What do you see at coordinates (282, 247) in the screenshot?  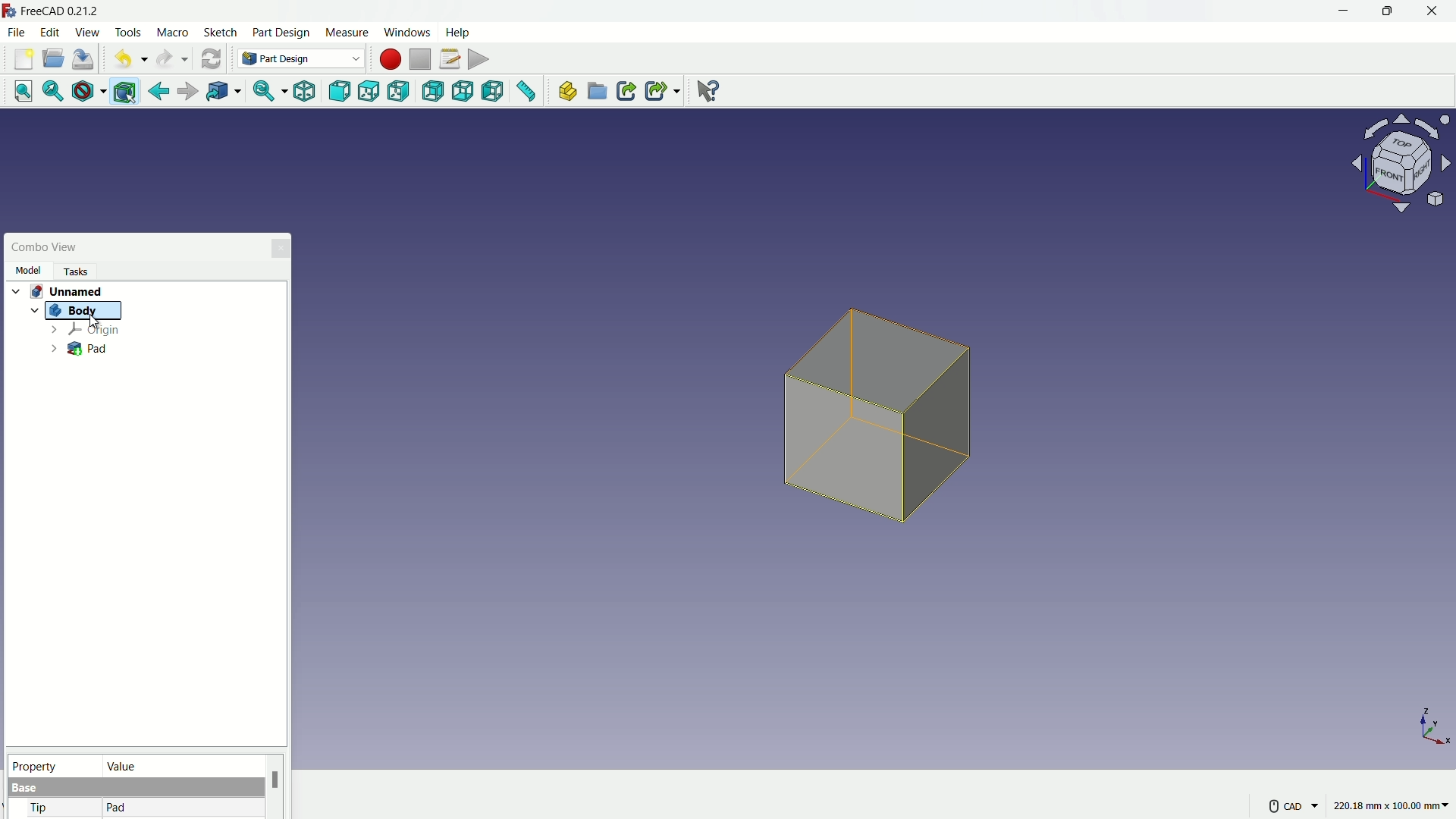 I see `close` at bounding box center [282, 247].